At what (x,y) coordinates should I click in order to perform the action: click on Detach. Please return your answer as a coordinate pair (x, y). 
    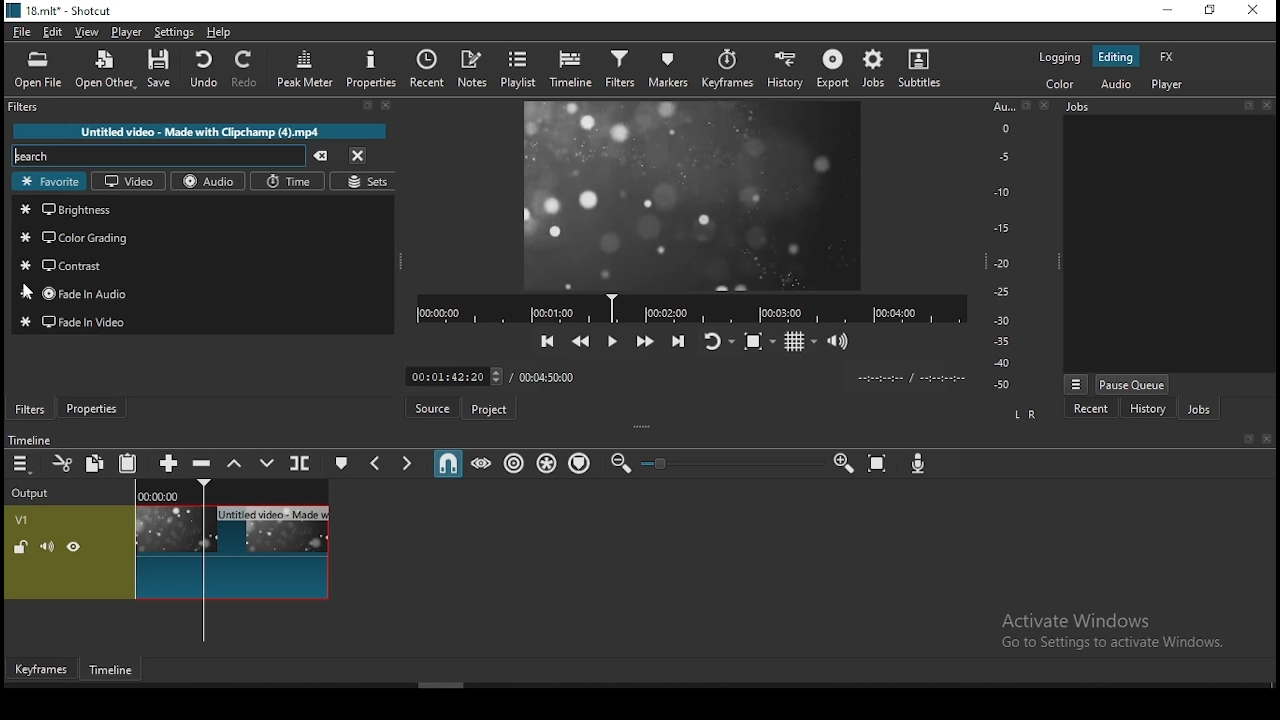
    Looking at the image, I should click on (368, 106).